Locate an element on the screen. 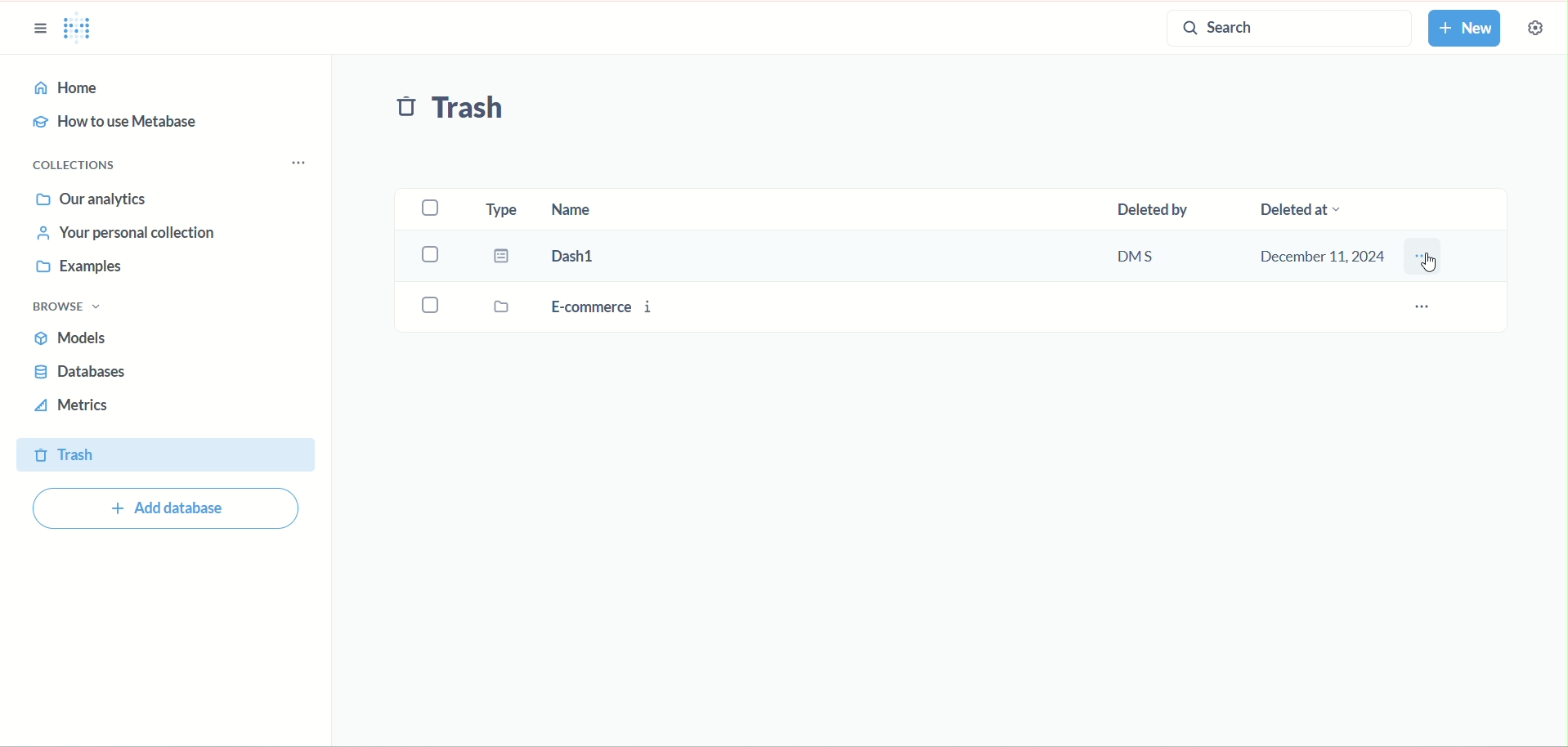 The height and width of the screenshot is (747, 1568). select E-commerce i is located at coordinates (432, 307).